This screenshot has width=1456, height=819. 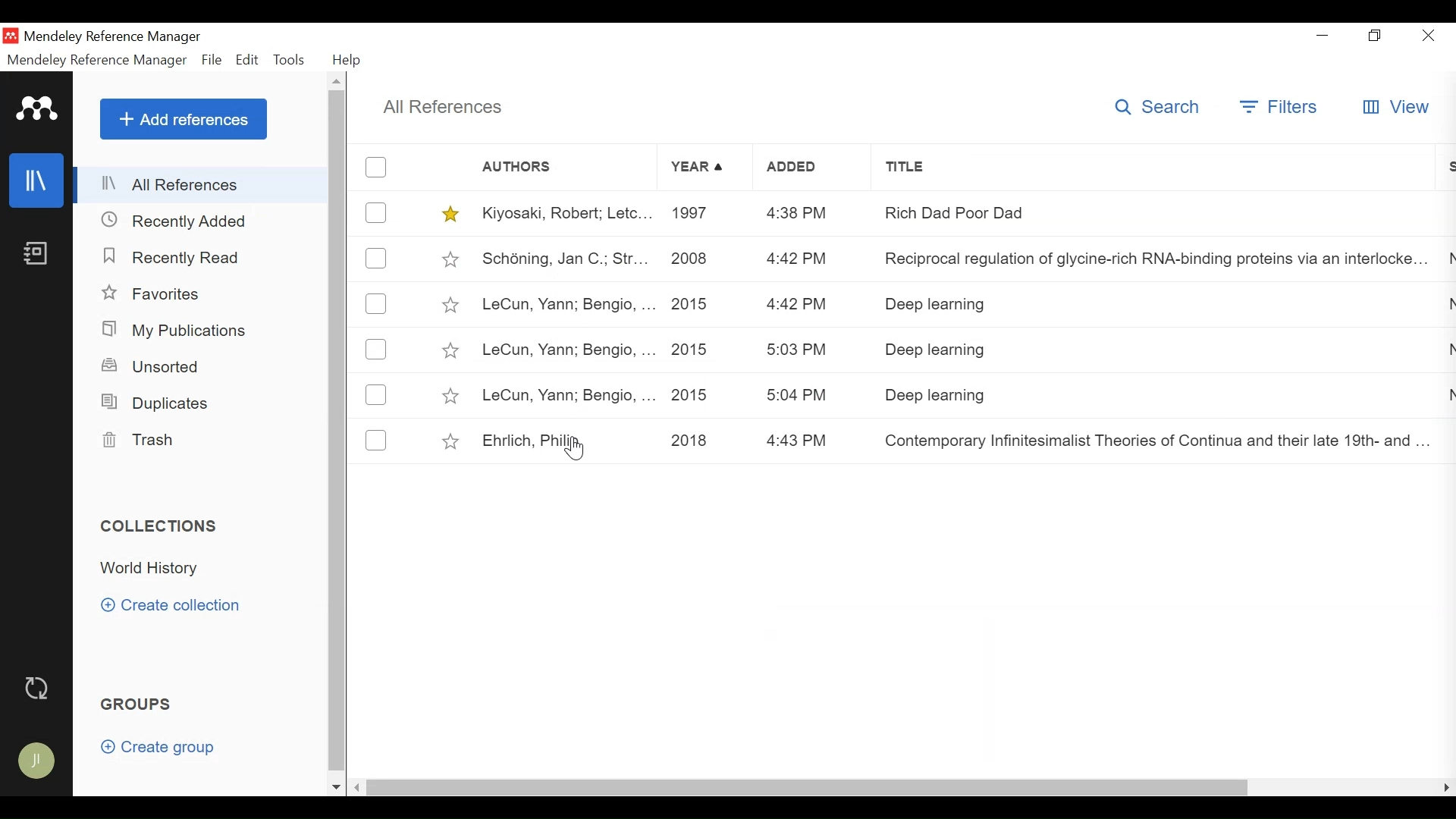 I want to click on LeCun, Yann; Bengio, ..., so click(x=567, y=306).